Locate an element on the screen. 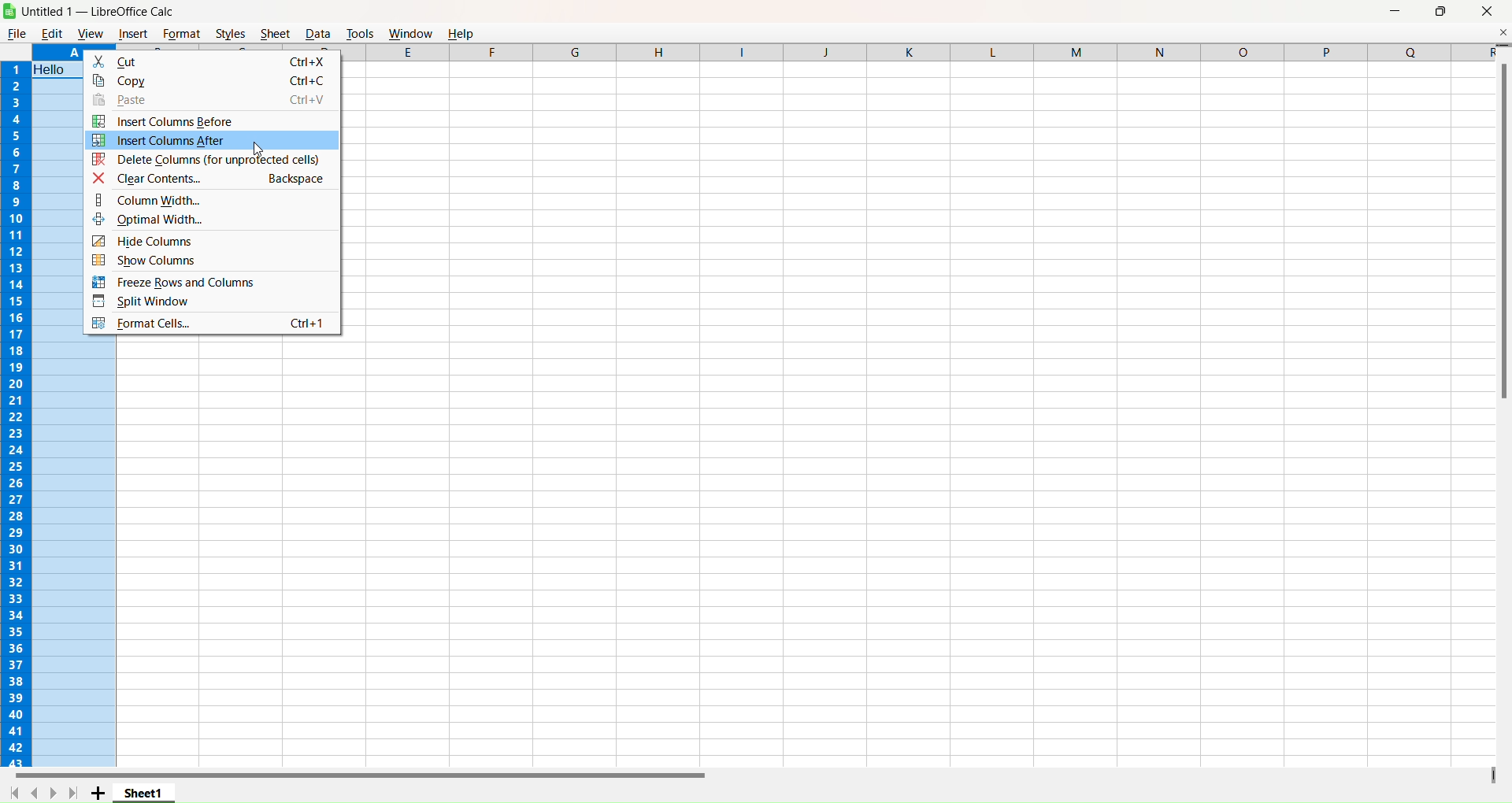 This screenshot has height=803, width=1512. Hello is located at coordinates (54, 69).